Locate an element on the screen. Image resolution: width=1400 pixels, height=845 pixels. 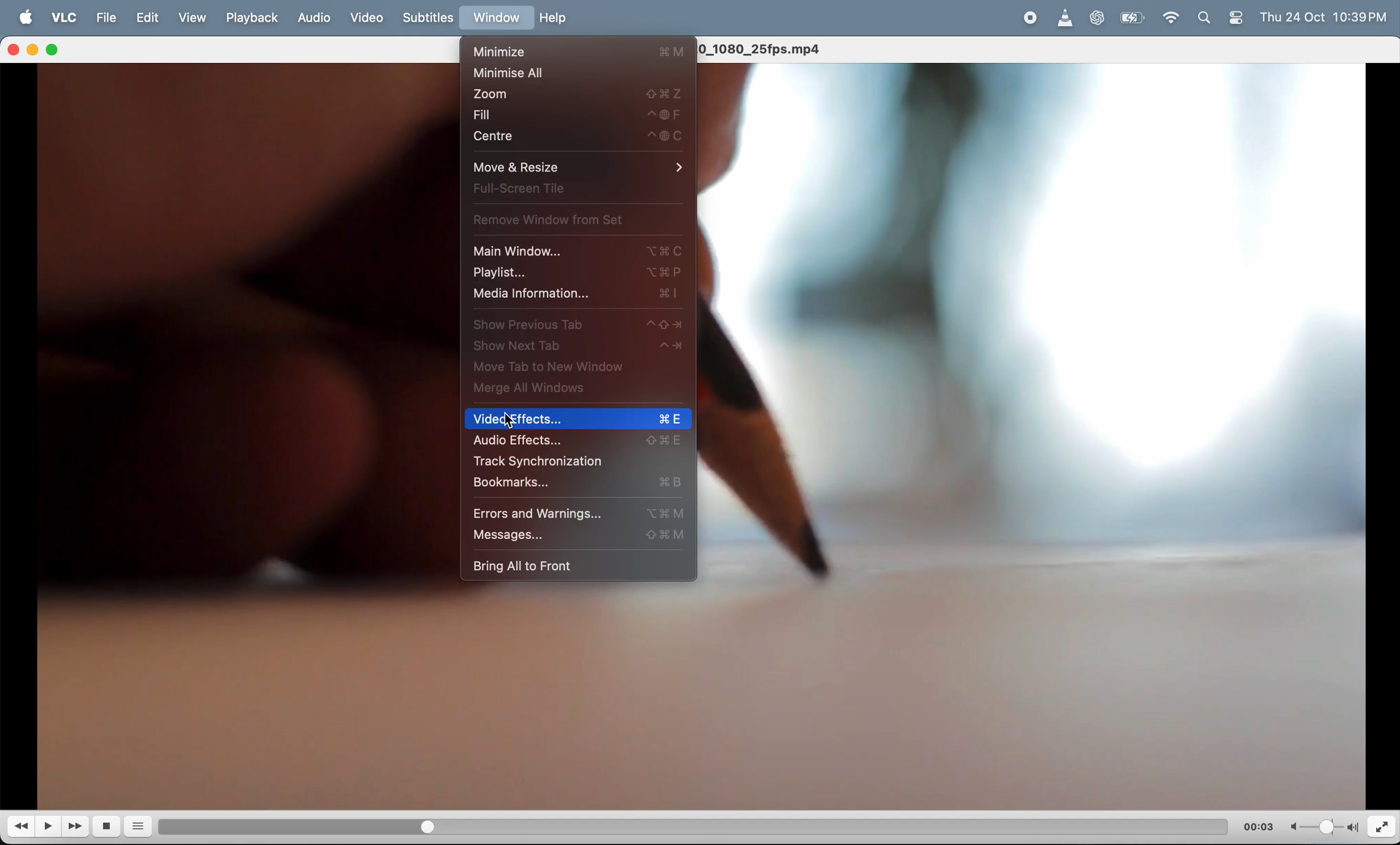
 is located at coordinates (578, 513).